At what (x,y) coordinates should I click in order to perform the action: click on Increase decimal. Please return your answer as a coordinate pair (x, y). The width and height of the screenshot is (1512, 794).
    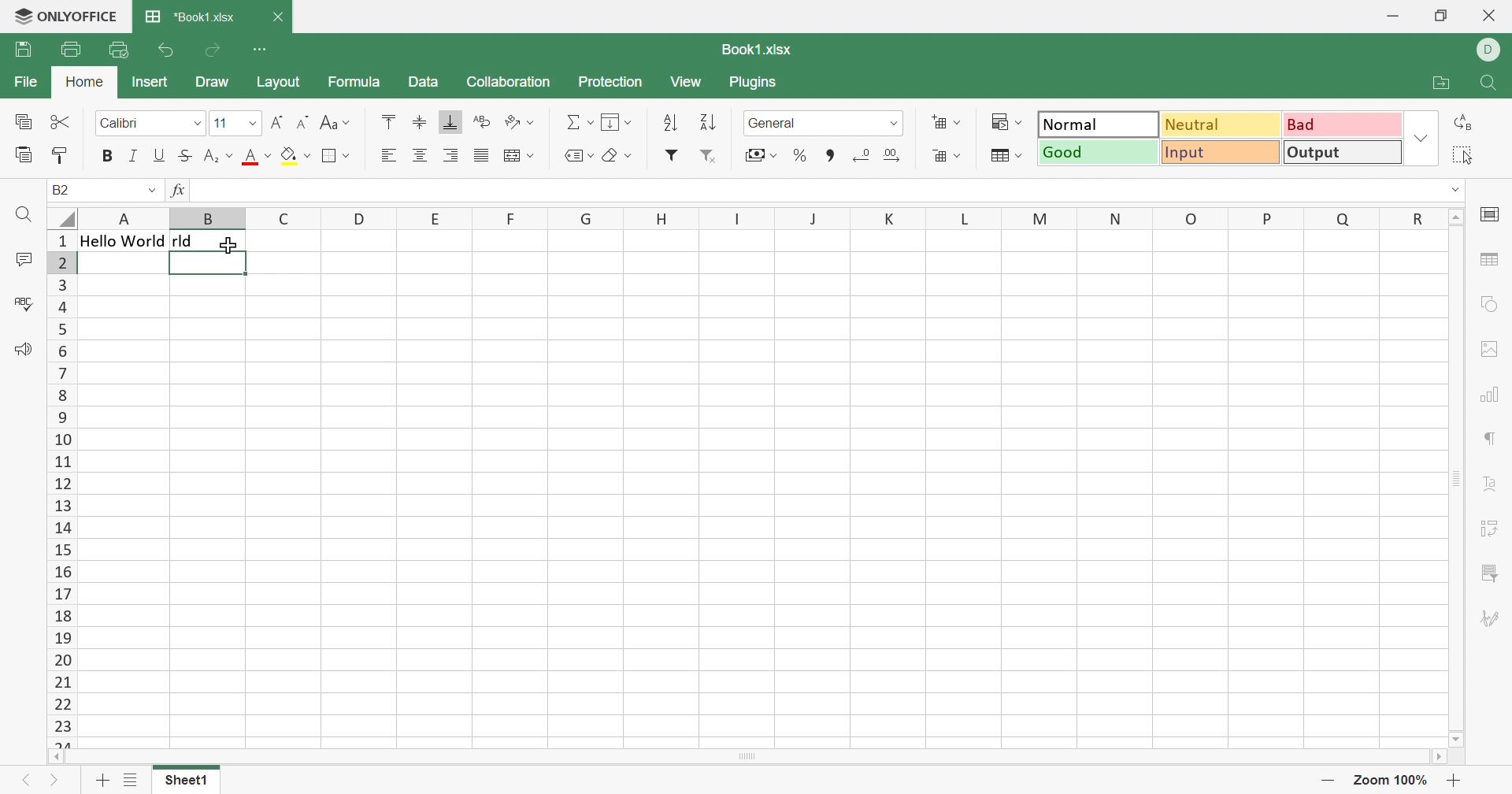
    Looking at the image, I should click on (895, 155).